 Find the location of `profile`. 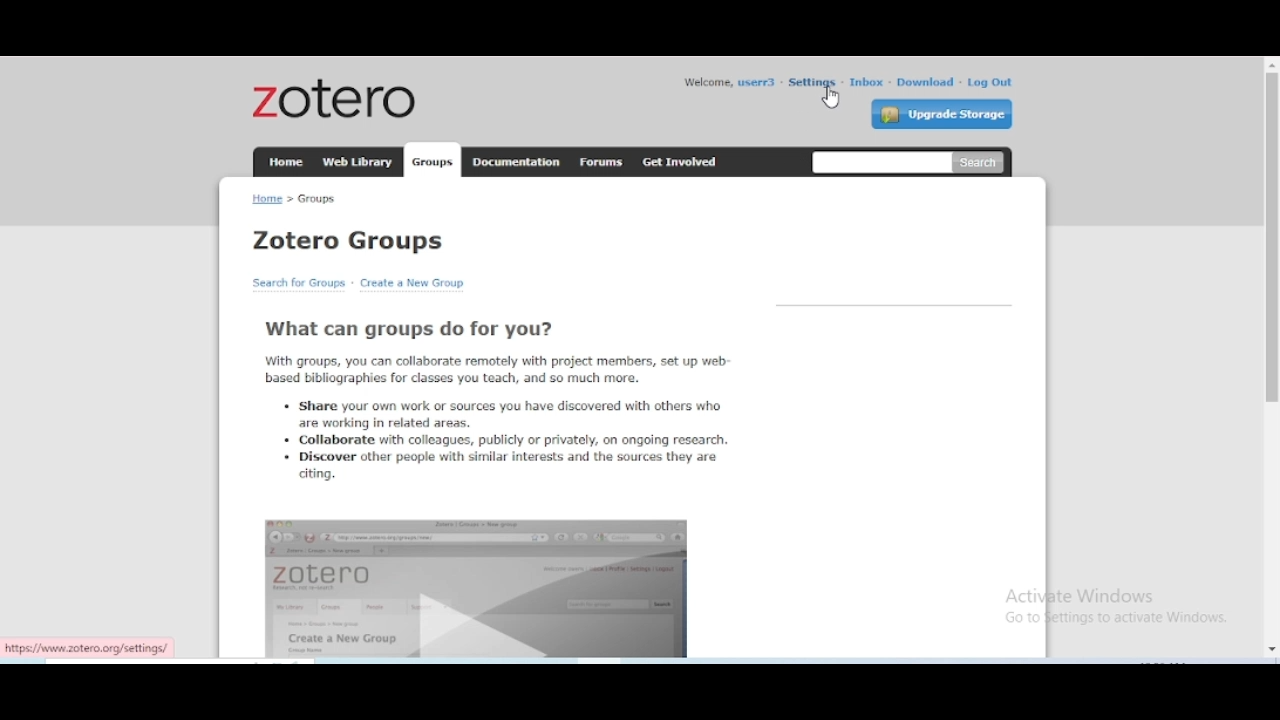

profile is located at coordinates (758, 82).